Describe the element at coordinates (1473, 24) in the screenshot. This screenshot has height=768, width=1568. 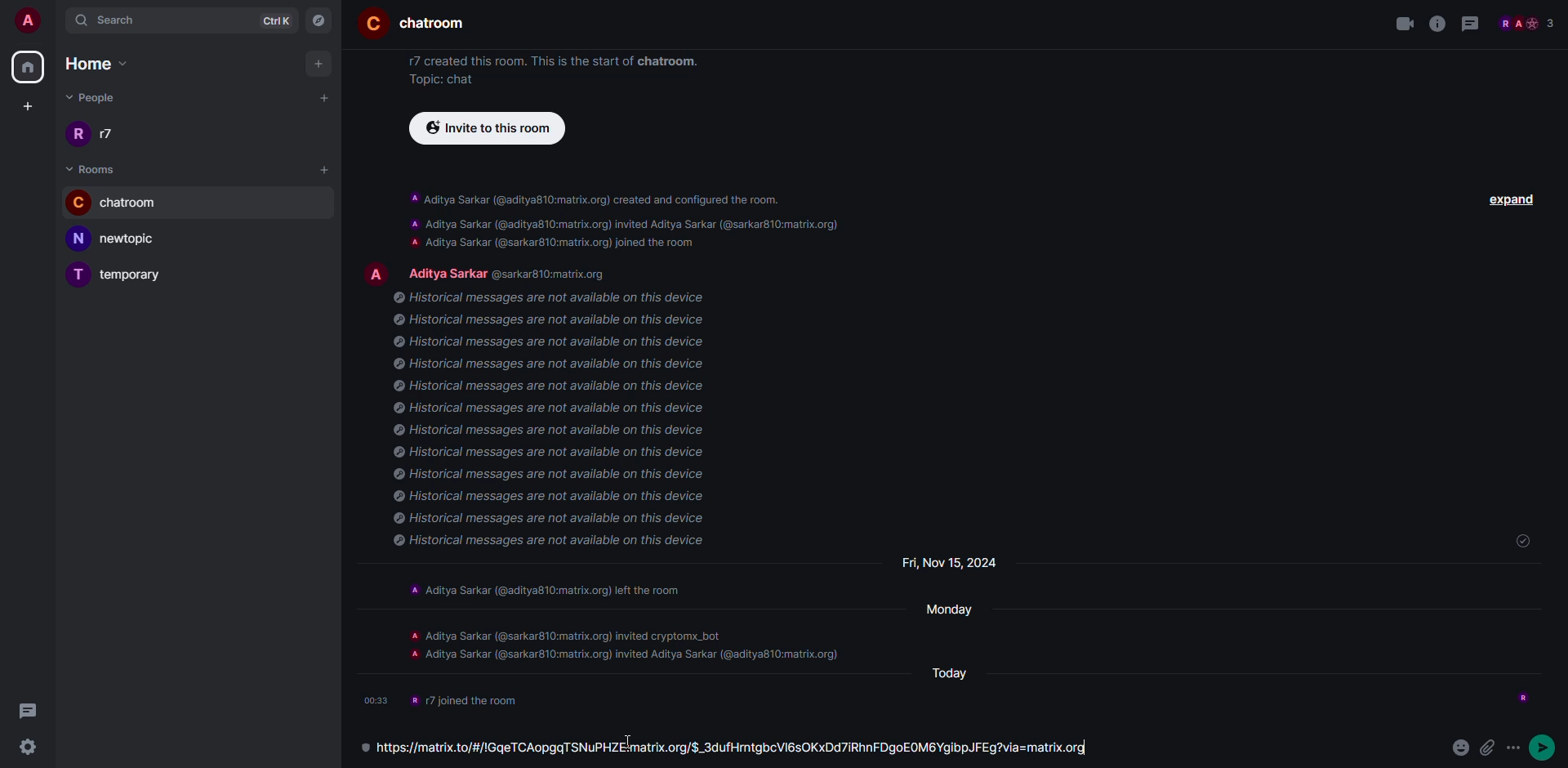
I see `threads` at that location.